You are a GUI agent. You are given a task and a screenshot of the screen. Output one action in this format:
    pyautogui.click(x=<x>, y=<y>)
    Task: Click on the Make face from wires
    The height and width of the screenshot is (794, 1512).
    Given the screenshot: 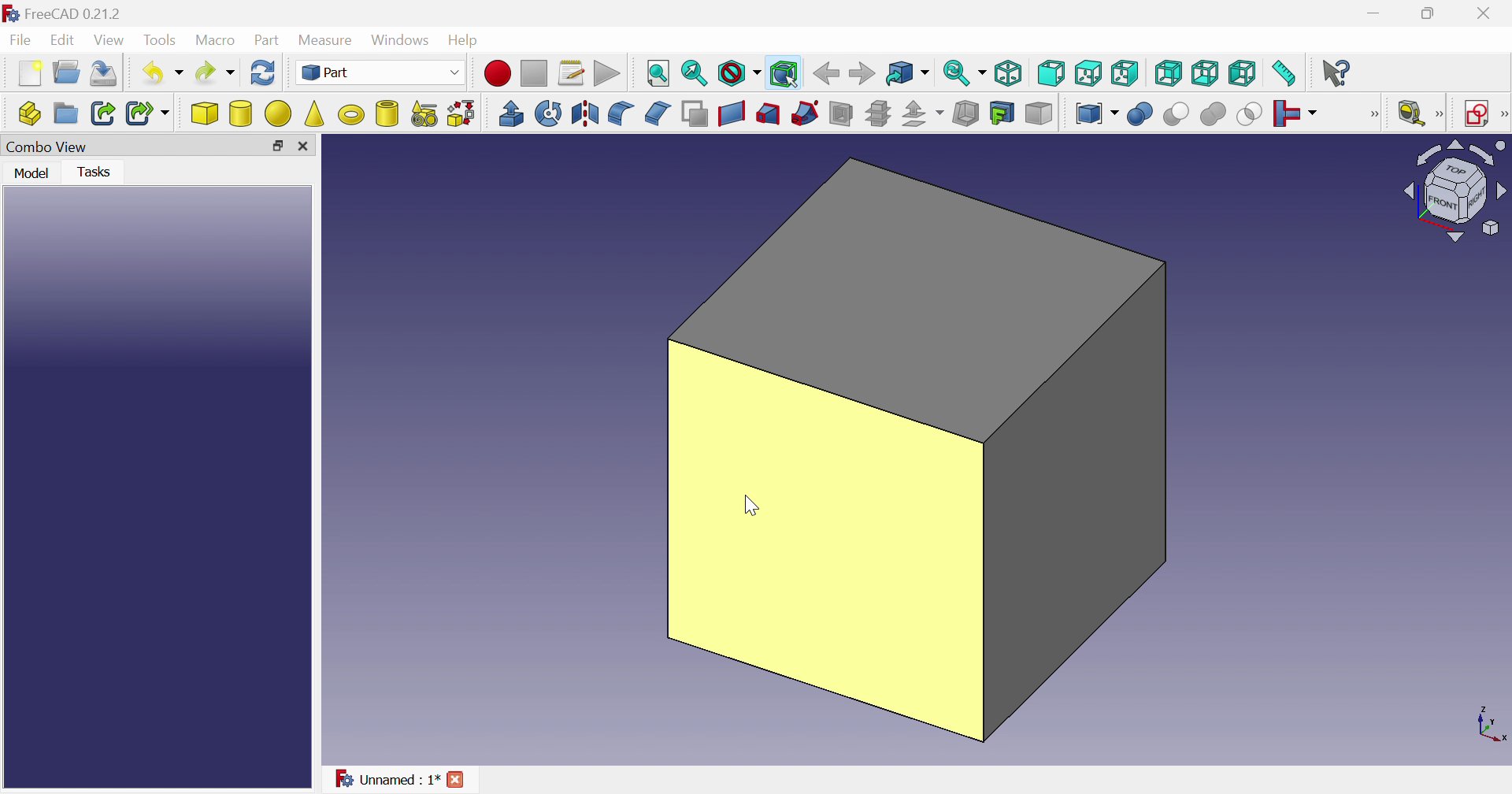 What is the action you would take?
    pyautogui.click(x=695, y=113)
    